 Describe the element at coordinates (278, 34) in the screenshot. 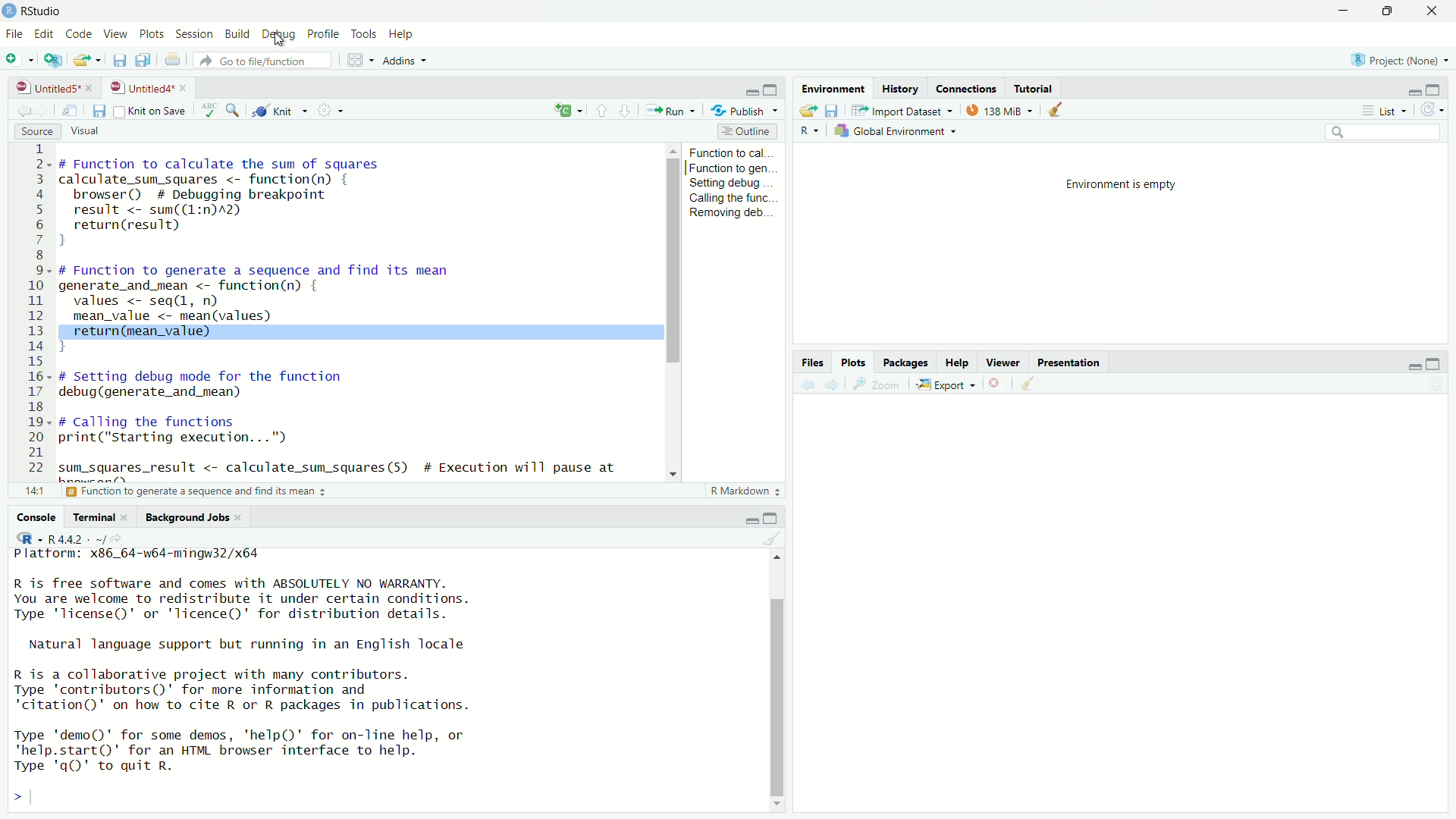

I see `debug` at that location.